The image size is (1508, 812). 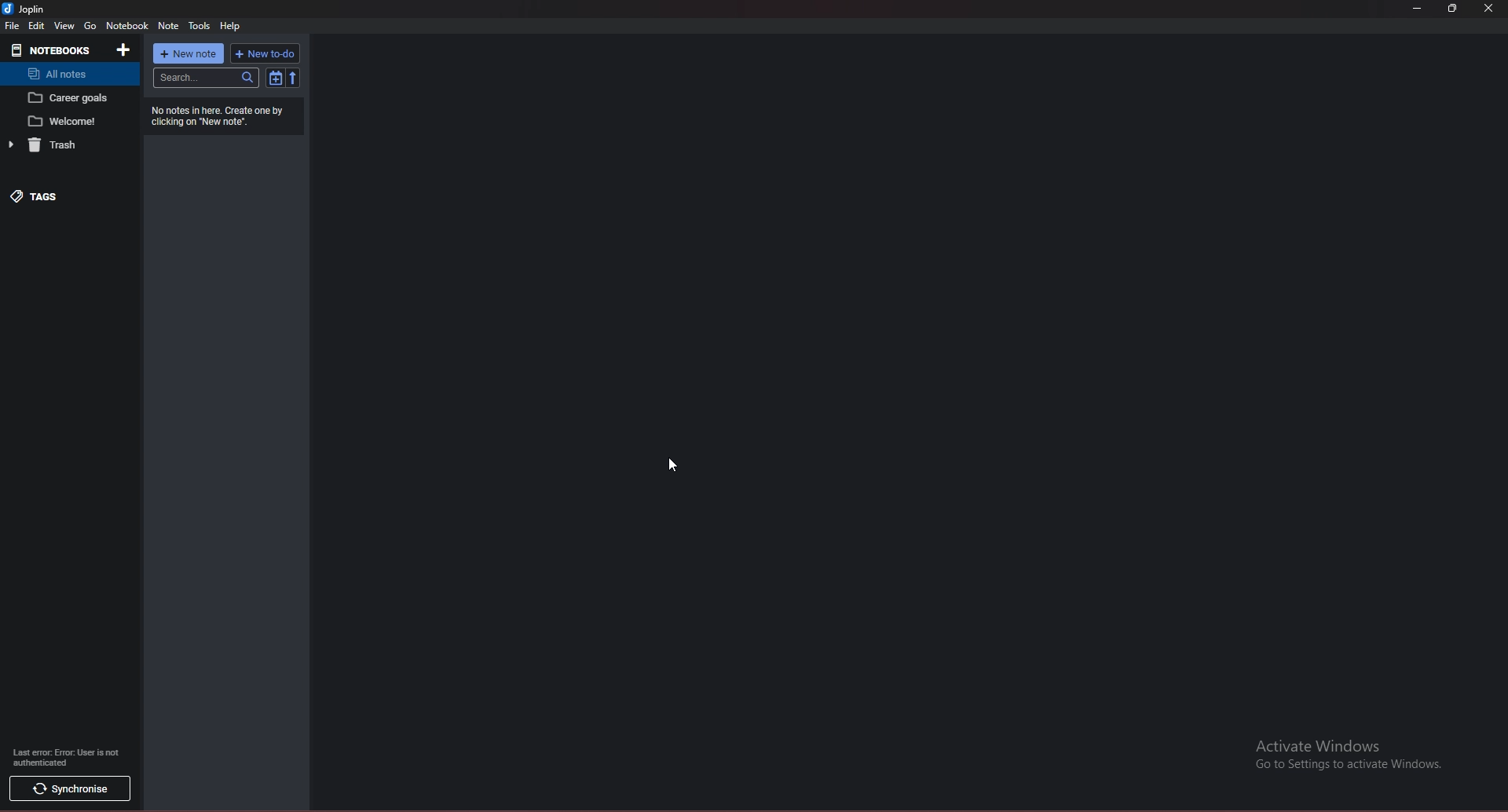 What do you see at coordinates (90, 27) in the screenshot?
I see `go` at bounding box center [90, 27].